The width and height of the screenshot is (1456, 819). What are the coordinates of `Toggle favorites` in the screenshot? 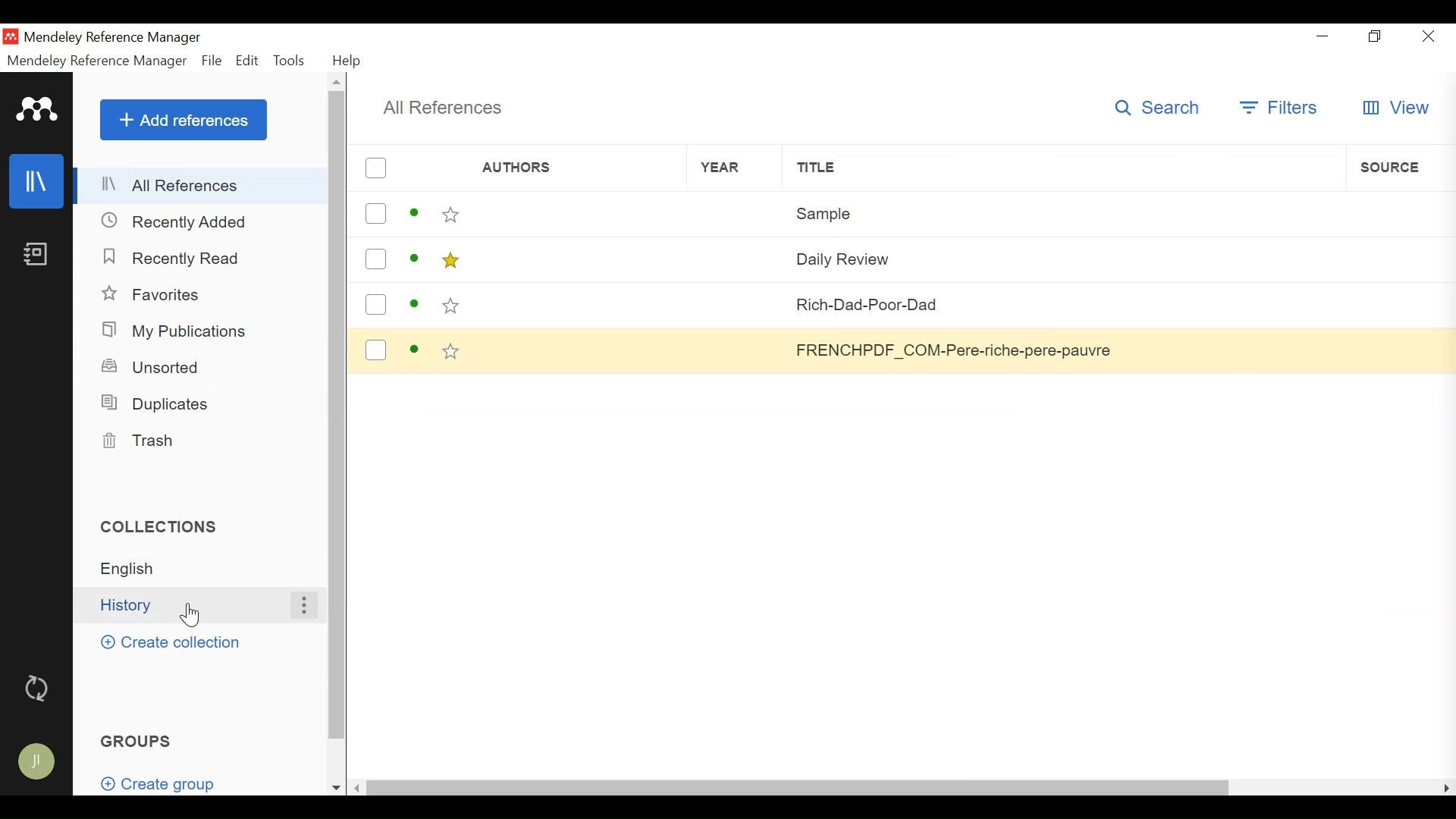 It's located at (452, 353).